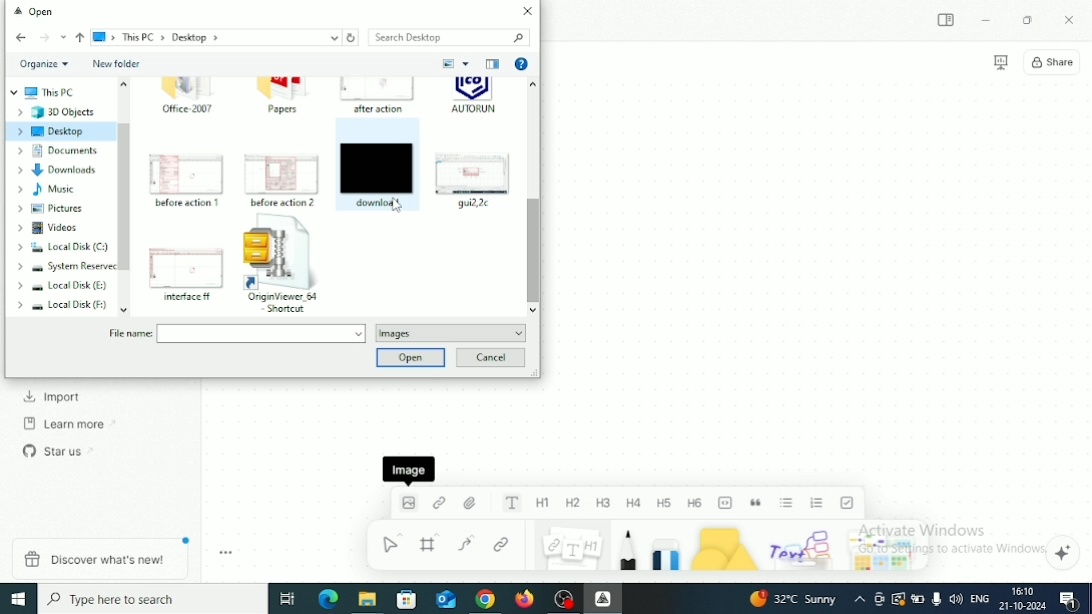  What do you see at coordinates (40, 13) in the screenshot?
I see `Open` at bounding box center [40, 13].